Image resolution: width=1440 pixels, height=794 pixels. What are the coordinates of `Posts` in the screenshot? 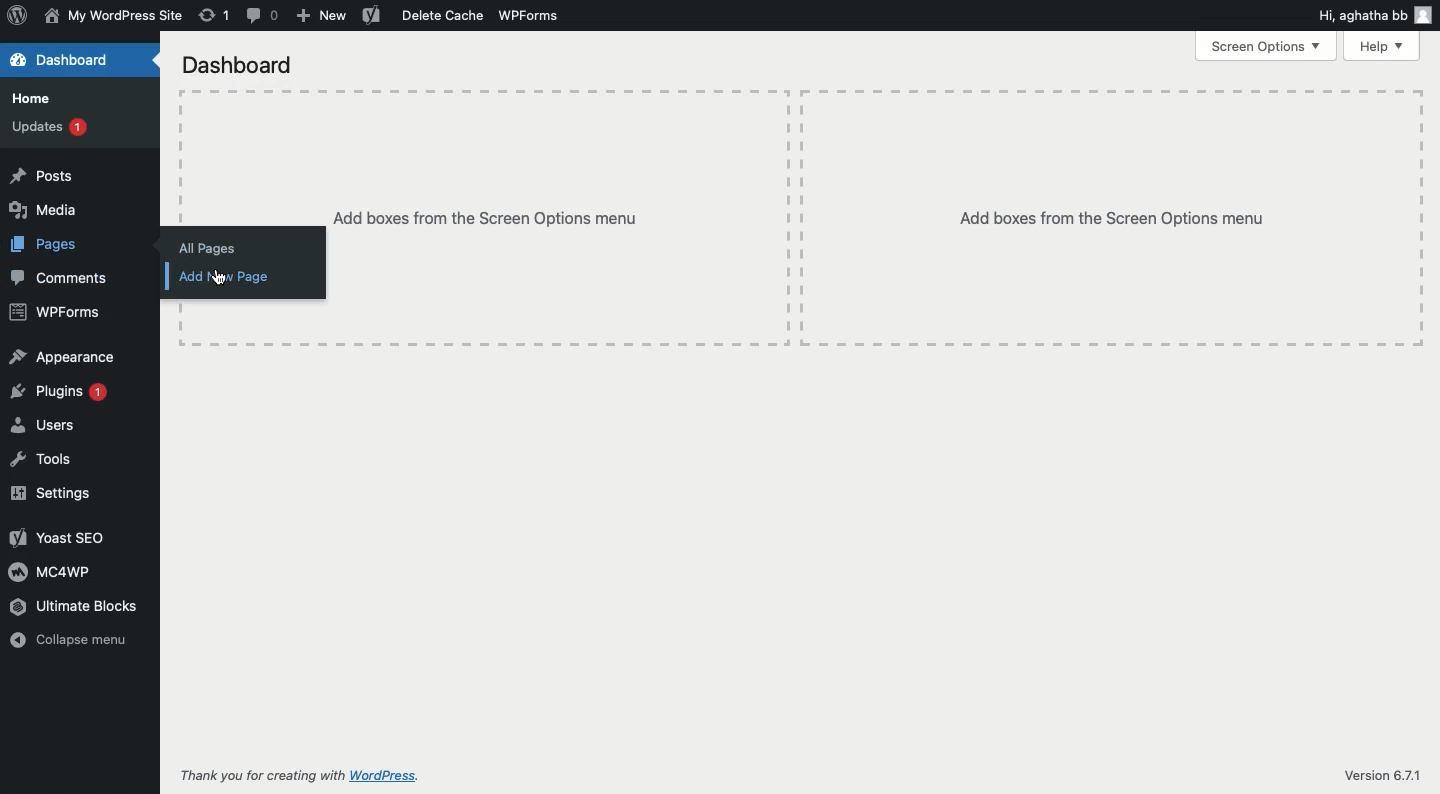 It's located at (42, 175).